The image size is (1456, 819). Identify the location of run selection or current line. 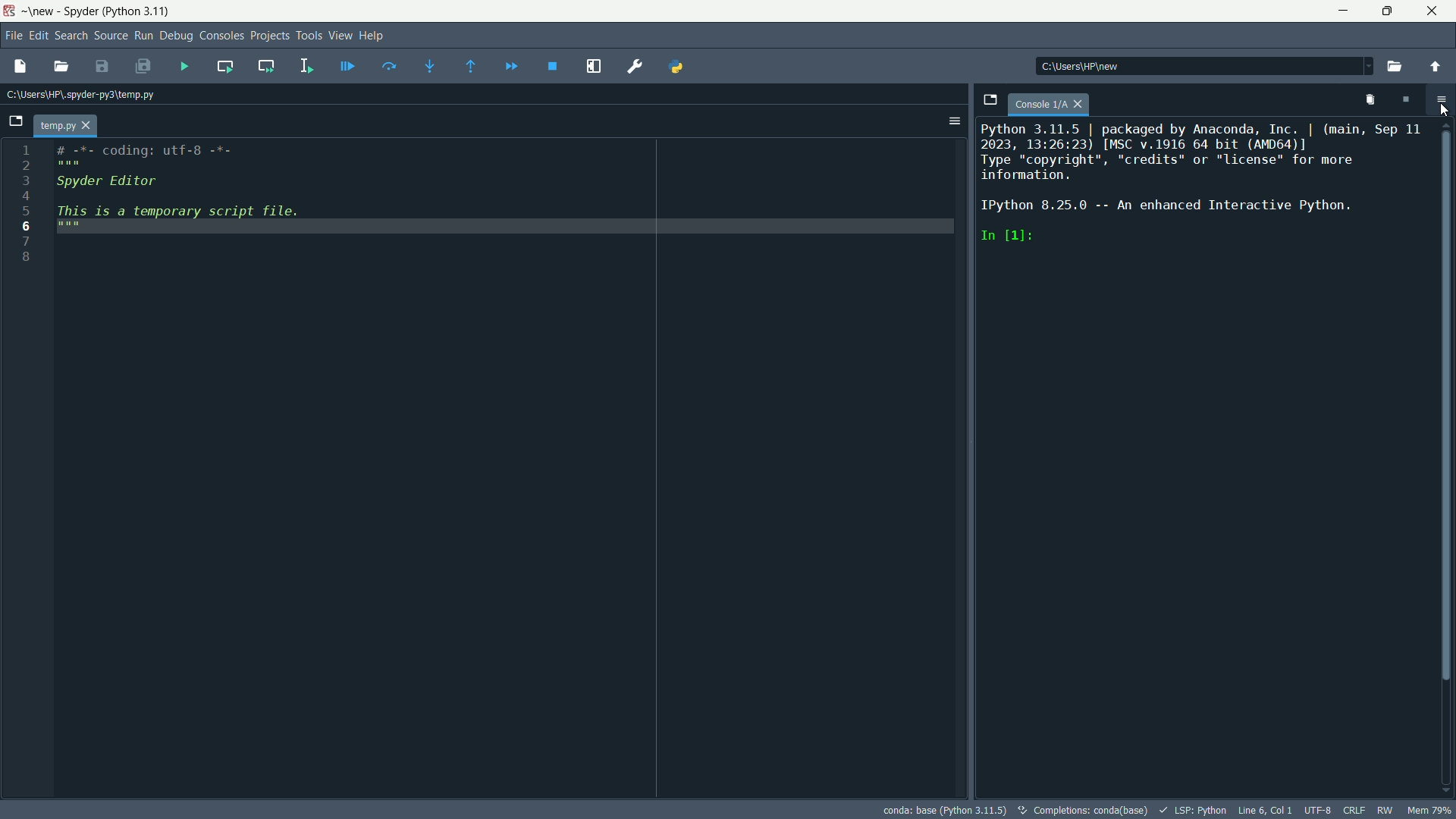
(307, 65).